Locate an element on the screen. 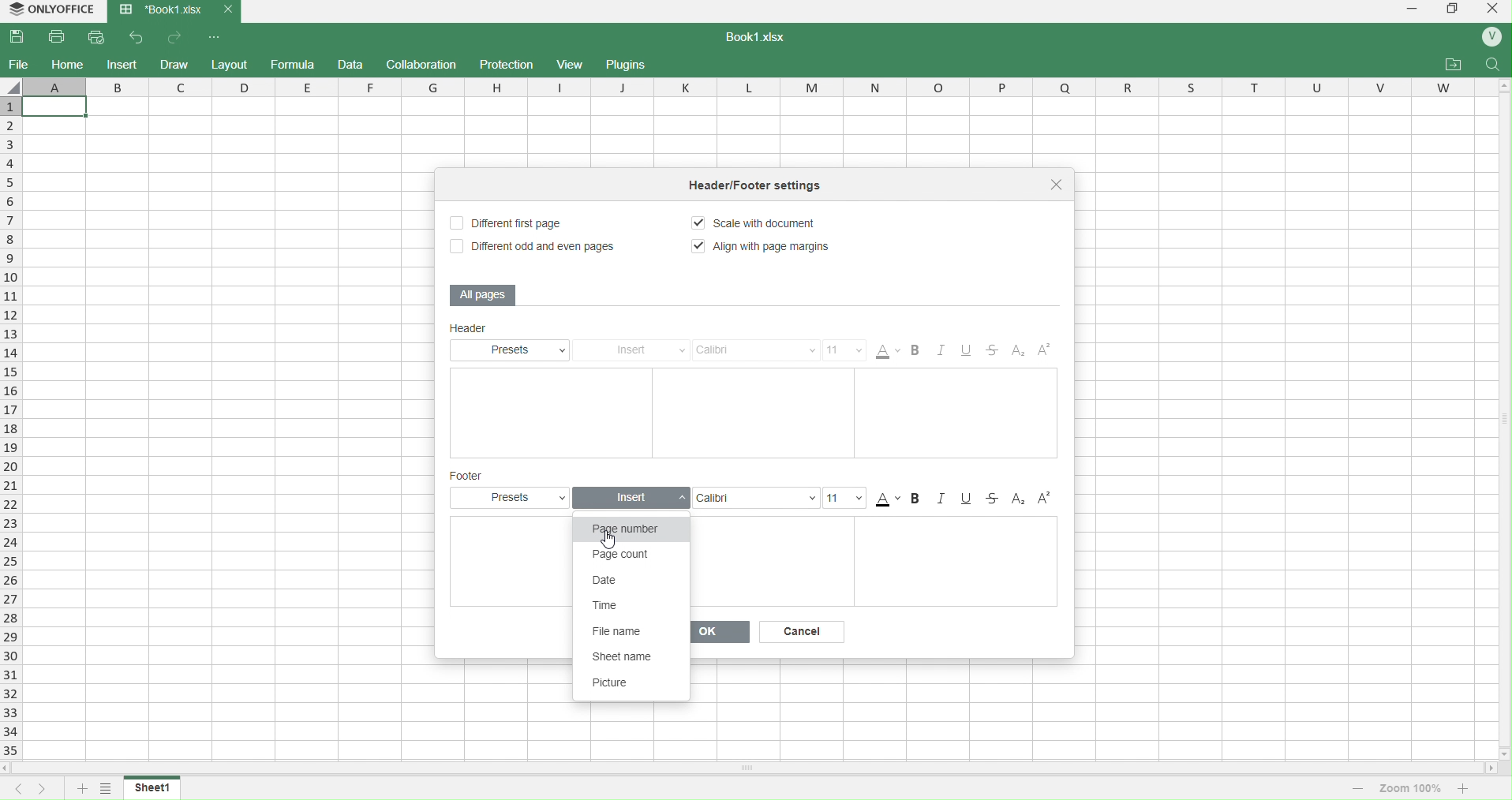 This screenshot has width=1512, height=800. save is located at coordinates (21, 37).